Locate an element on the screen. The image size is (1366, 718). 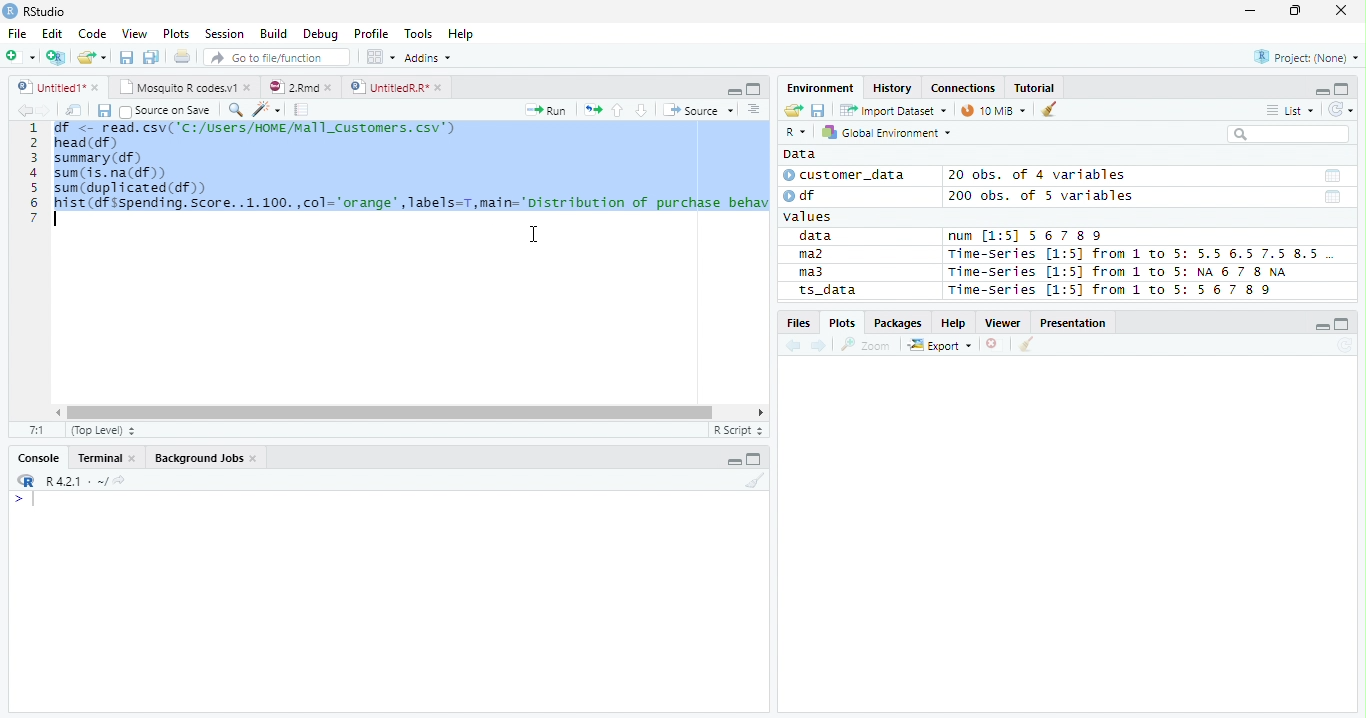
Show in new window is located at coordinates (75, 110).